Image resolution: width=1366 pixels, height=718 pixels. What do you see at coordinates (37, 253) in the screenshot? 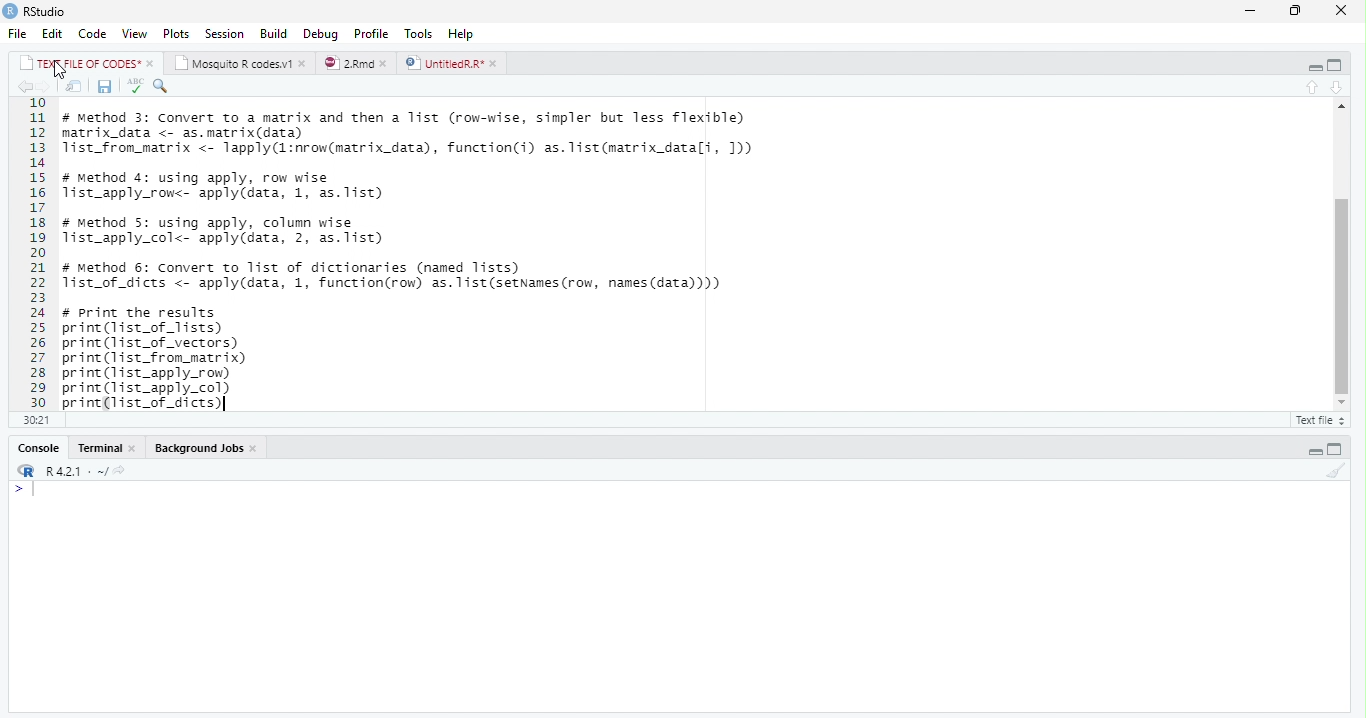
I see `Line number` at bounding box center [37, 253].